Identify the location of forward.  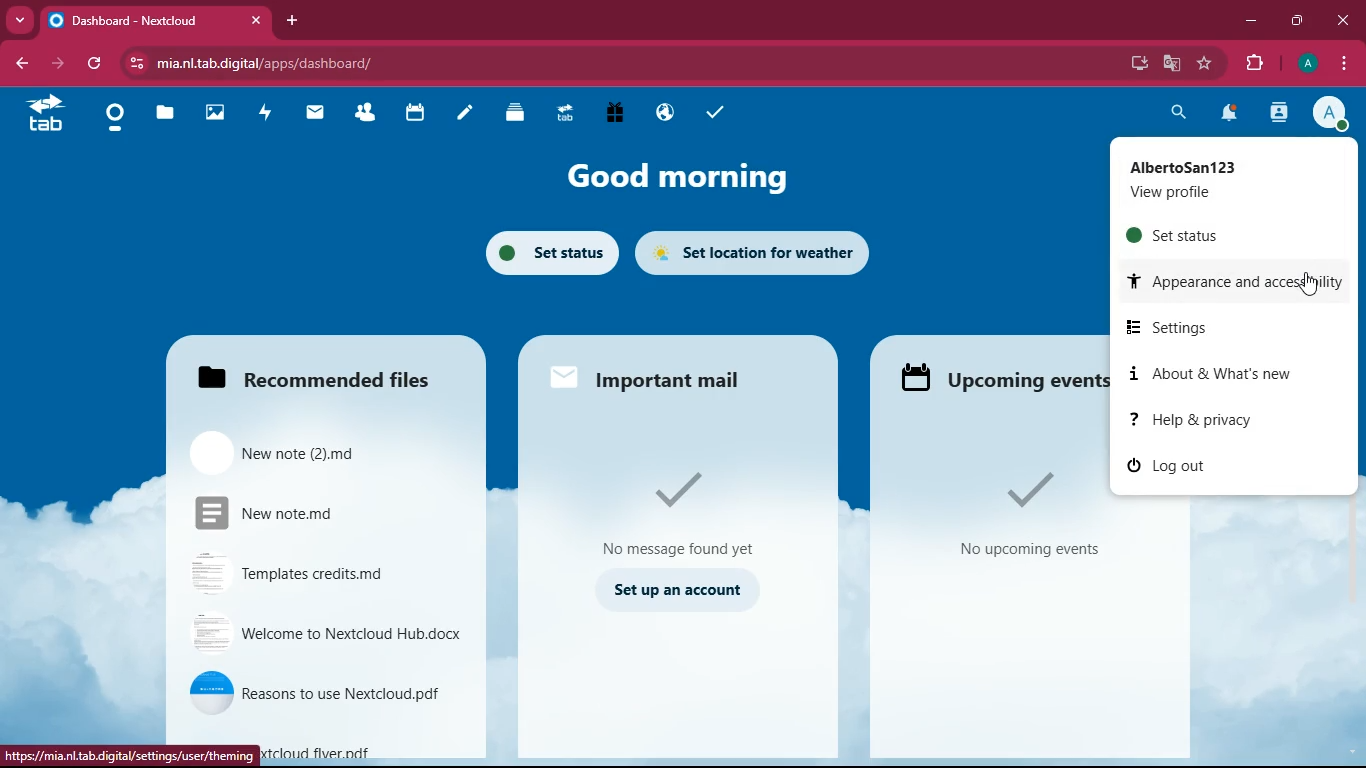
(57, 64).